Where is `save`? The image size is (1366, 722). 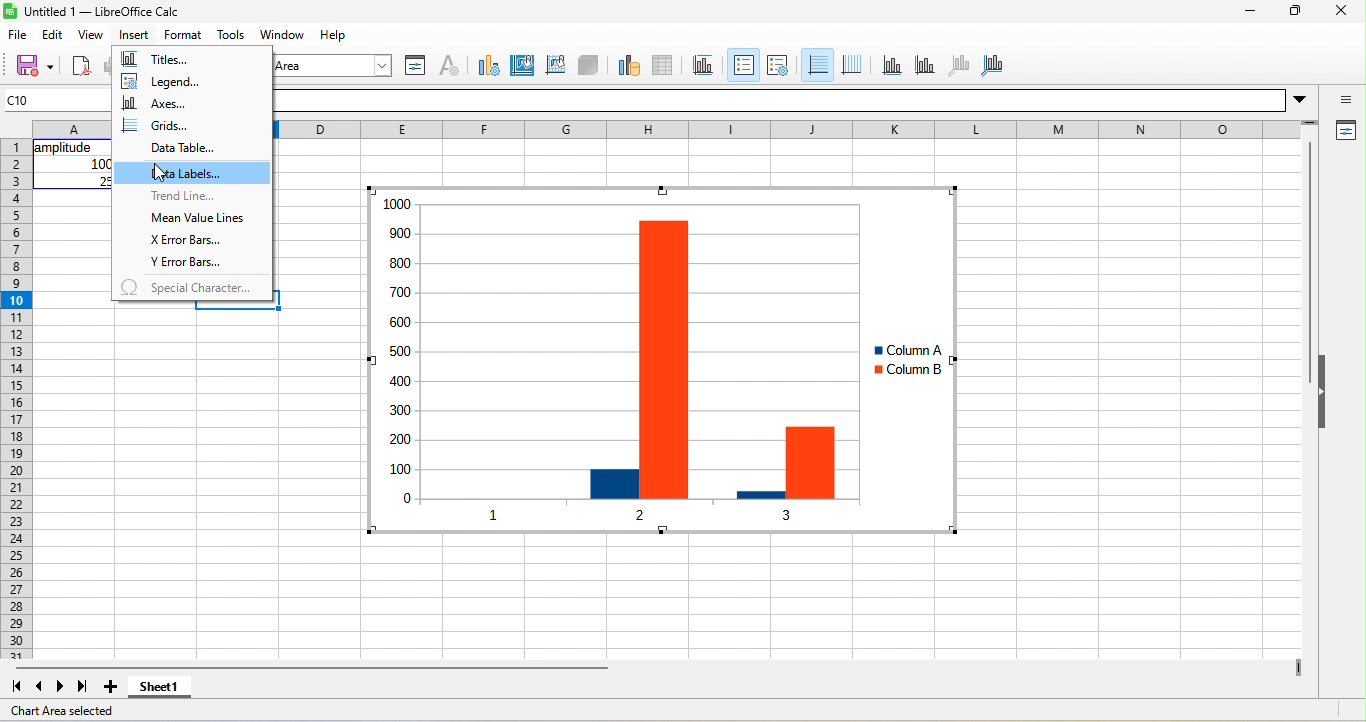
save is located at coordinates (28, 65).